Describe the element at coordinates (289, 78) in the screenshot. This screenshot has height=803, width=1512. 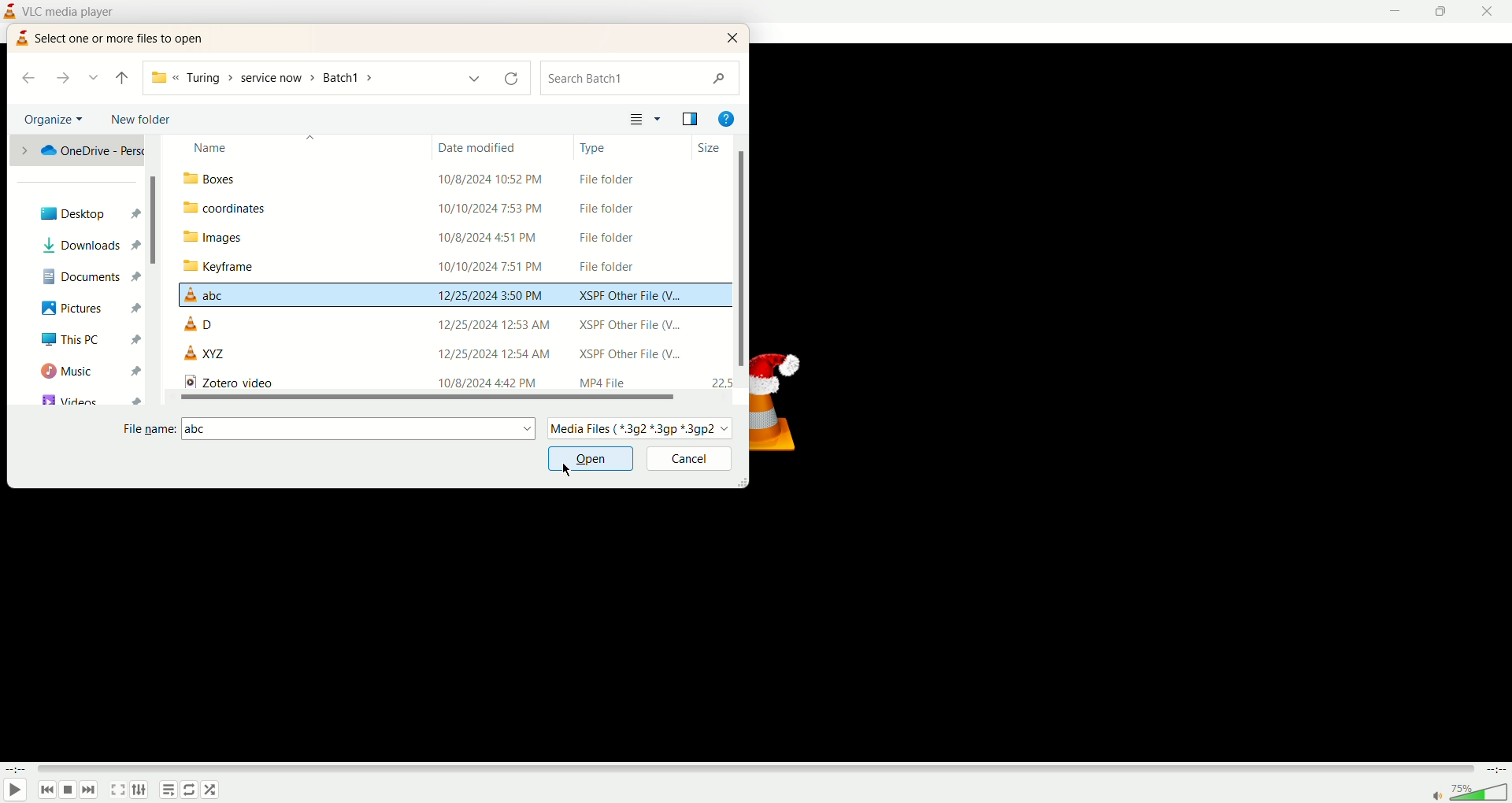
I see `location` at that location.